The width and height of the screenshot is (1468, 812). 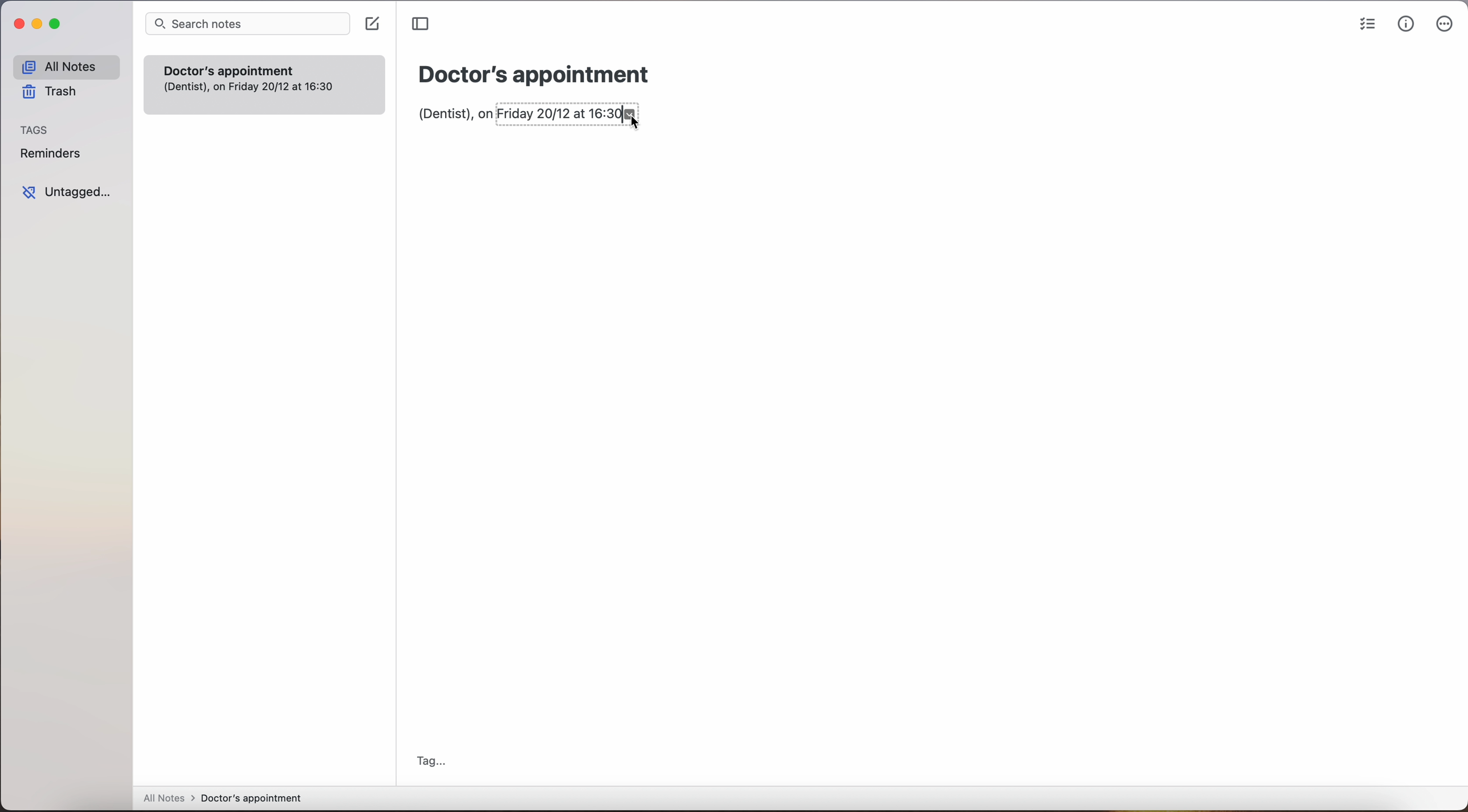 What do you see at coordinates (372, 24) in the screenshot?
I see `create note` at bounding box center [372, 24].